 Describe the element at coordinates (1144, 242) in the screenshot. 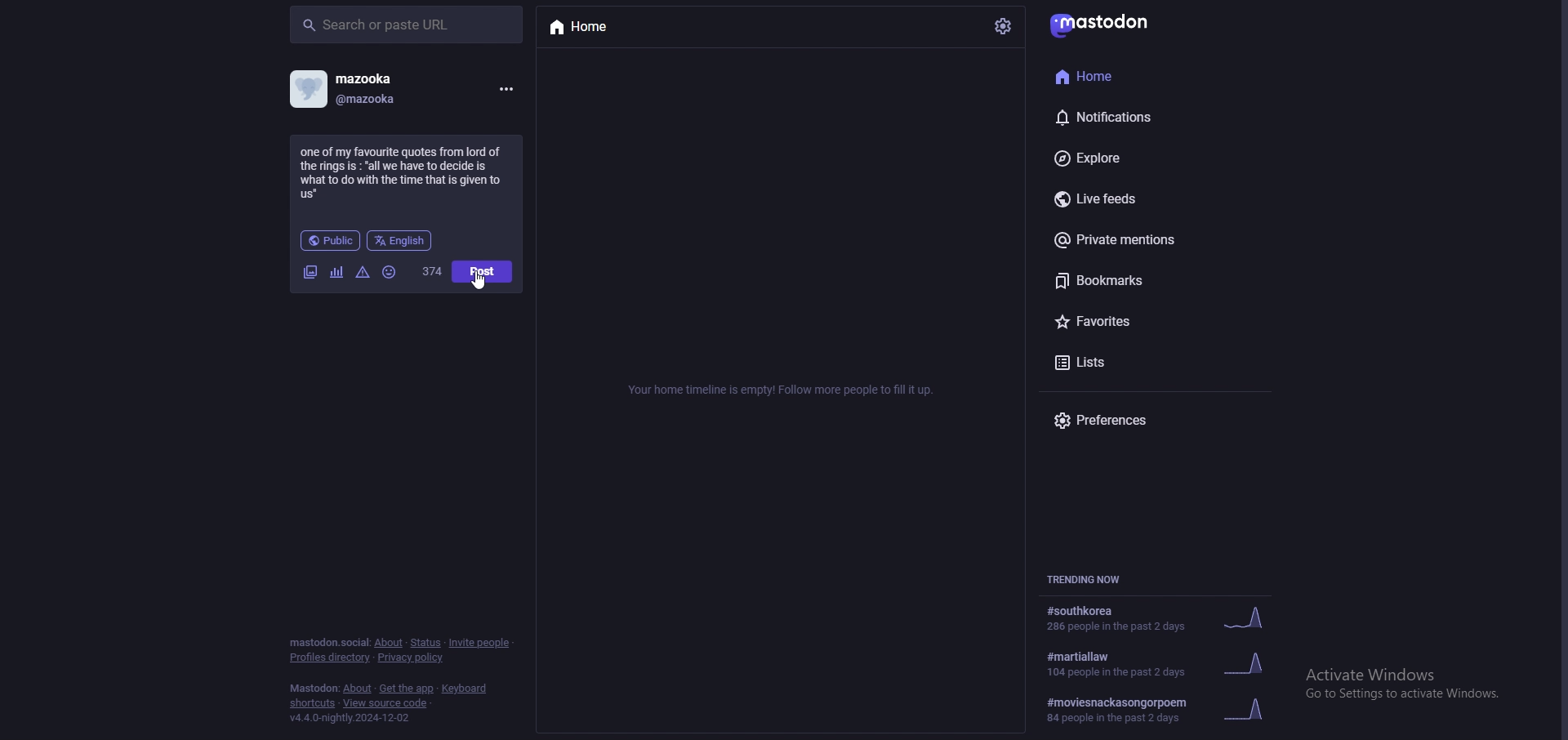

I see `private mentions` at that location.